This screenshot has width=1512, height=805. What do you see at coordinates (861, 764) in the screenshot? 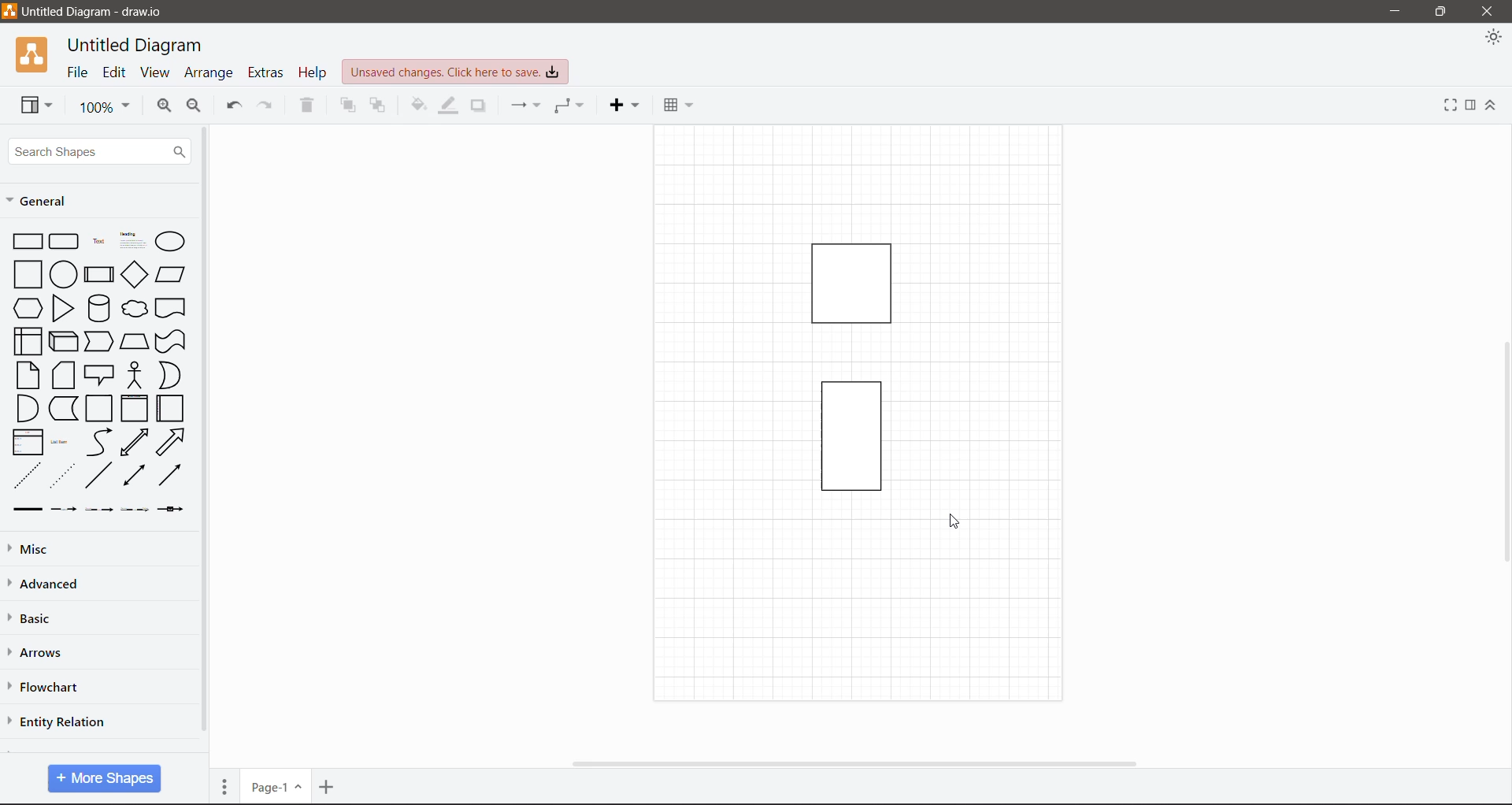
I see `Horizontal Scroll Bar` at bounding box center [861, 764].